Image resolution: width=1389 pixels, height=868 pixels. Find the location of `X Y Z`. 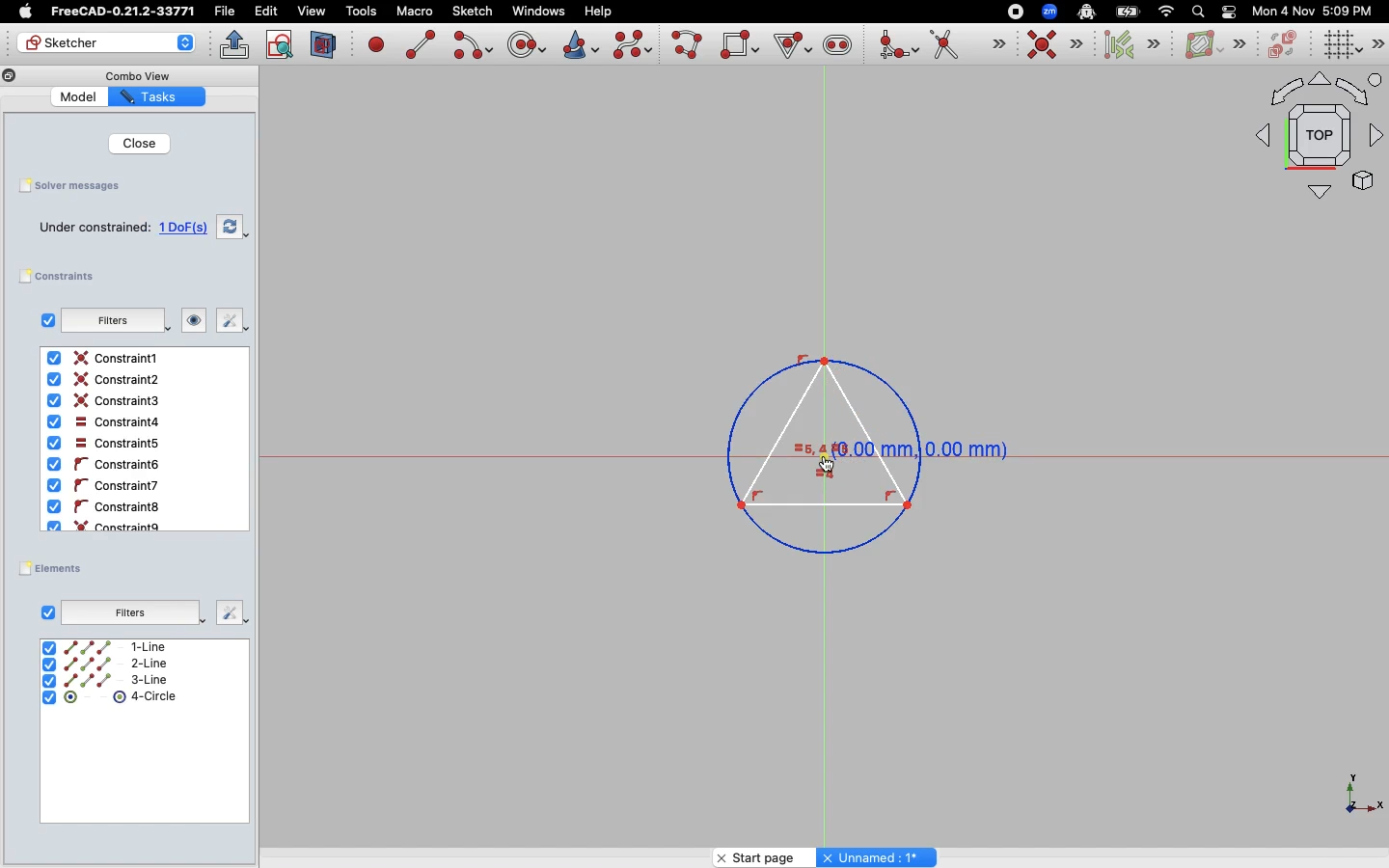

X Y Z is located at coordinates (1350, 795).